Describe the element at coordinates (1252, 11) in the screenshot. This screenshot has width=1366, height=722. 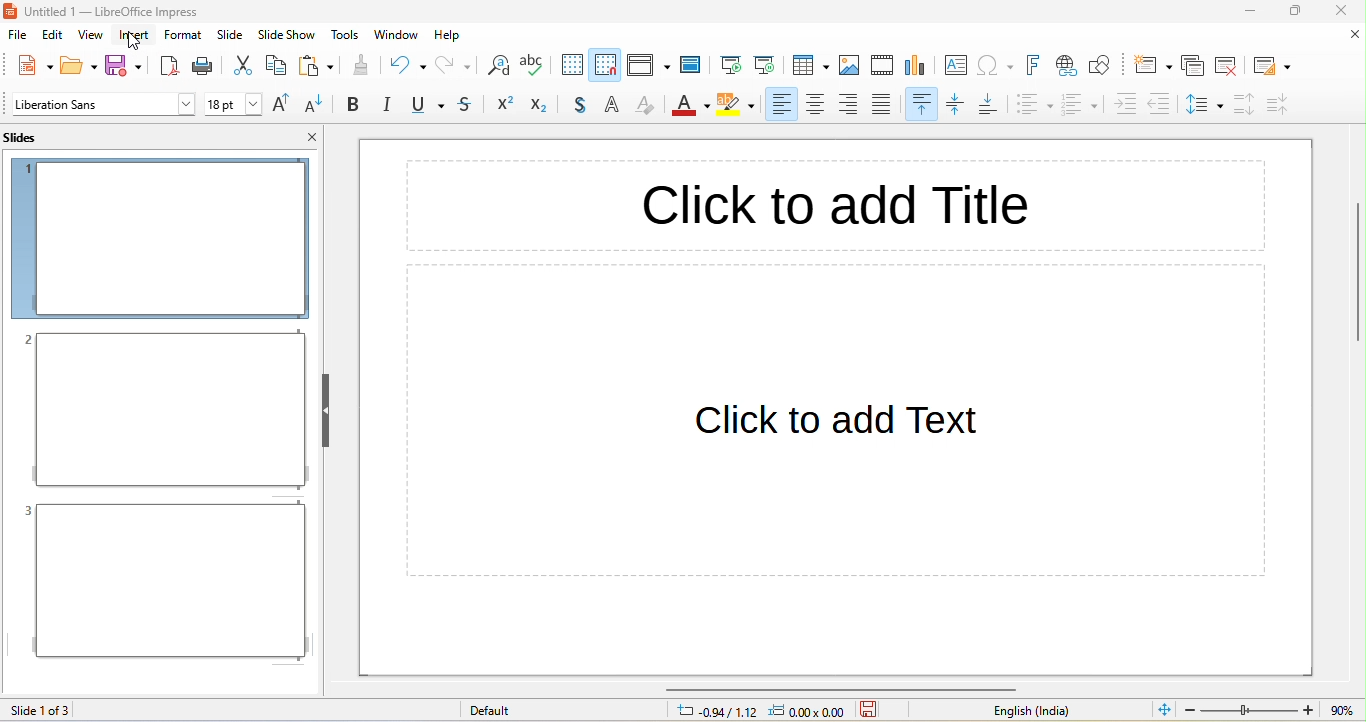
I see `minimizee` at that location.